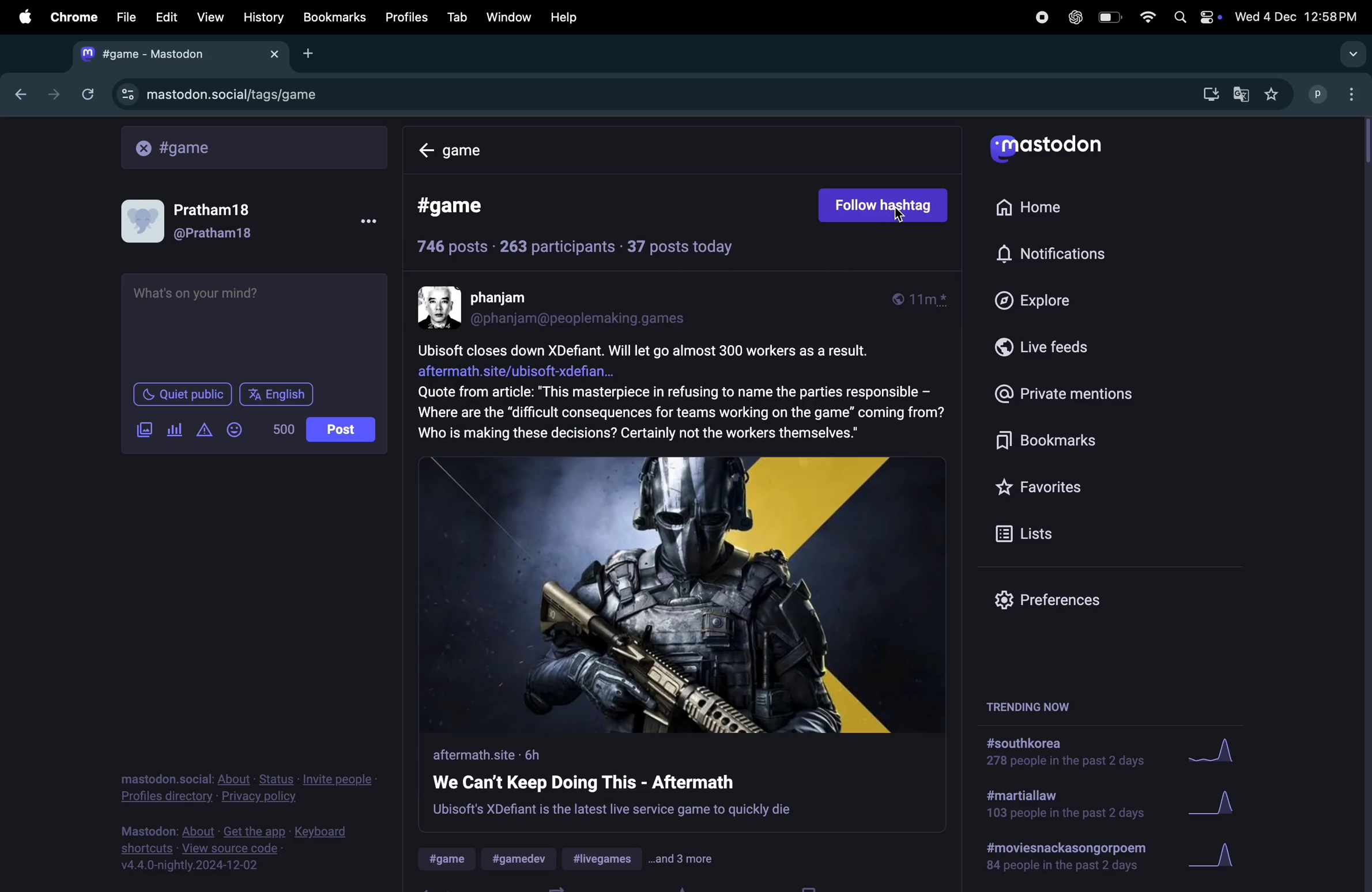  What do you see at coordinates (457, 16) in the screenshot?
I see `Tab` at bounding box center [457, 16].